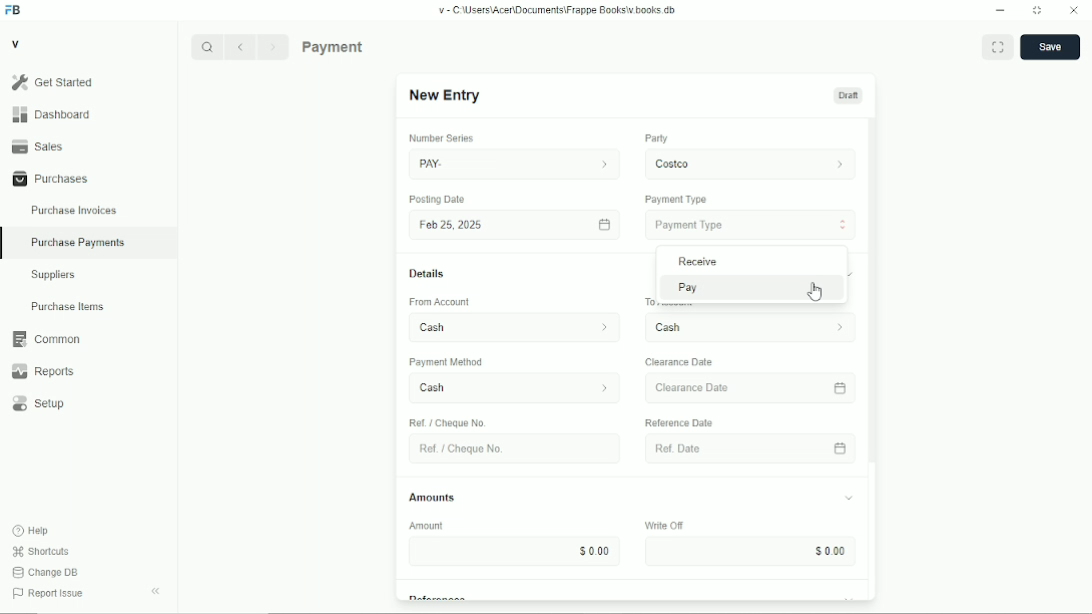 The height and width of the screenshot is (614, 1092). I want to click on v= C Wsers\Acen\Documents\Frappe Books\v books db, so click(558, 10).